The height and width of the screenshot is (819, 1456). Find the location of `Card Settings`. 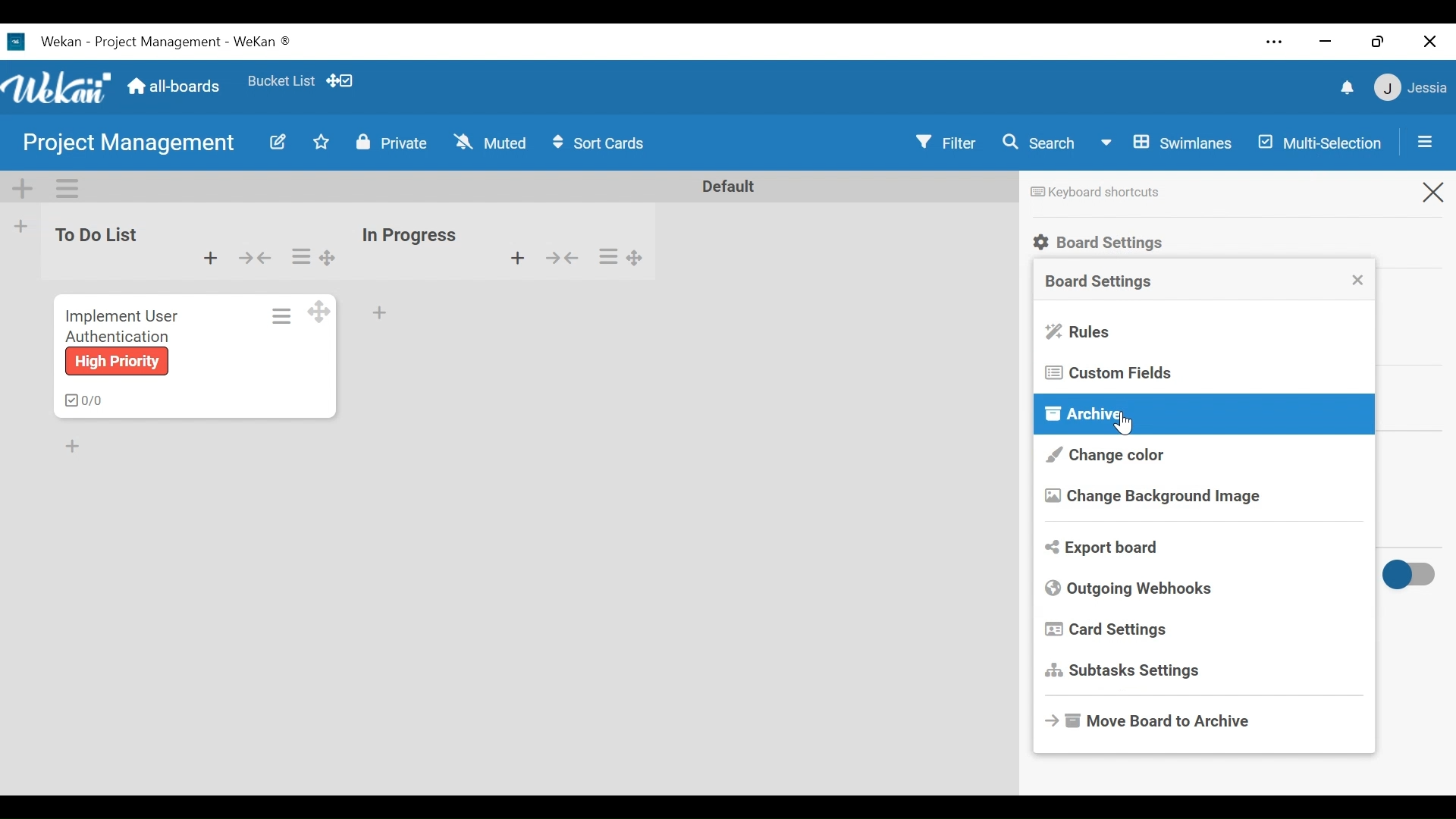

Card Settings is located at coordinates (1108, 629).